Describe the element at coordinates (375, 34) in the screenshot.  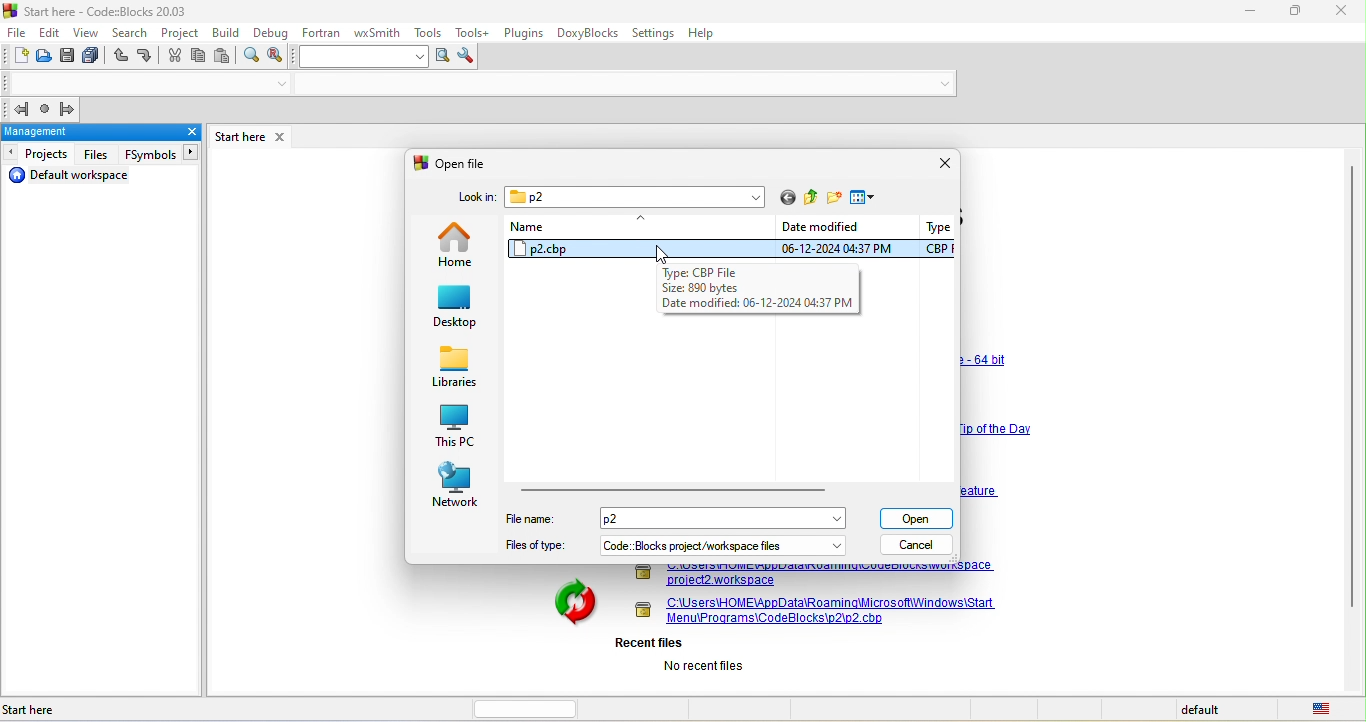
I see `wxsmith` at that location.